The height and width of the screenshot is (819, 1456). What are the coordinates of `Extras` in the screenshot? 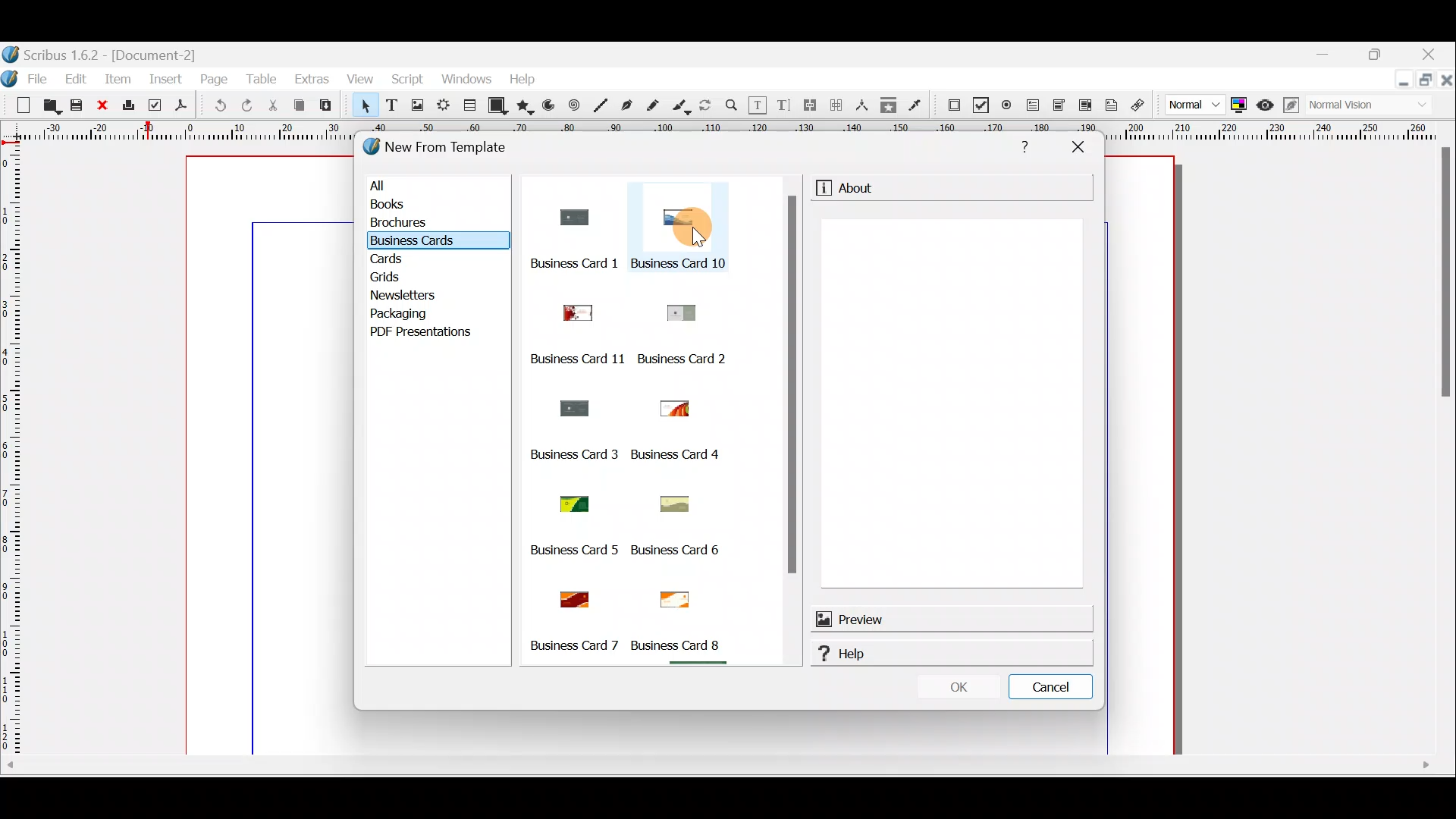 It's located at (311, 77).